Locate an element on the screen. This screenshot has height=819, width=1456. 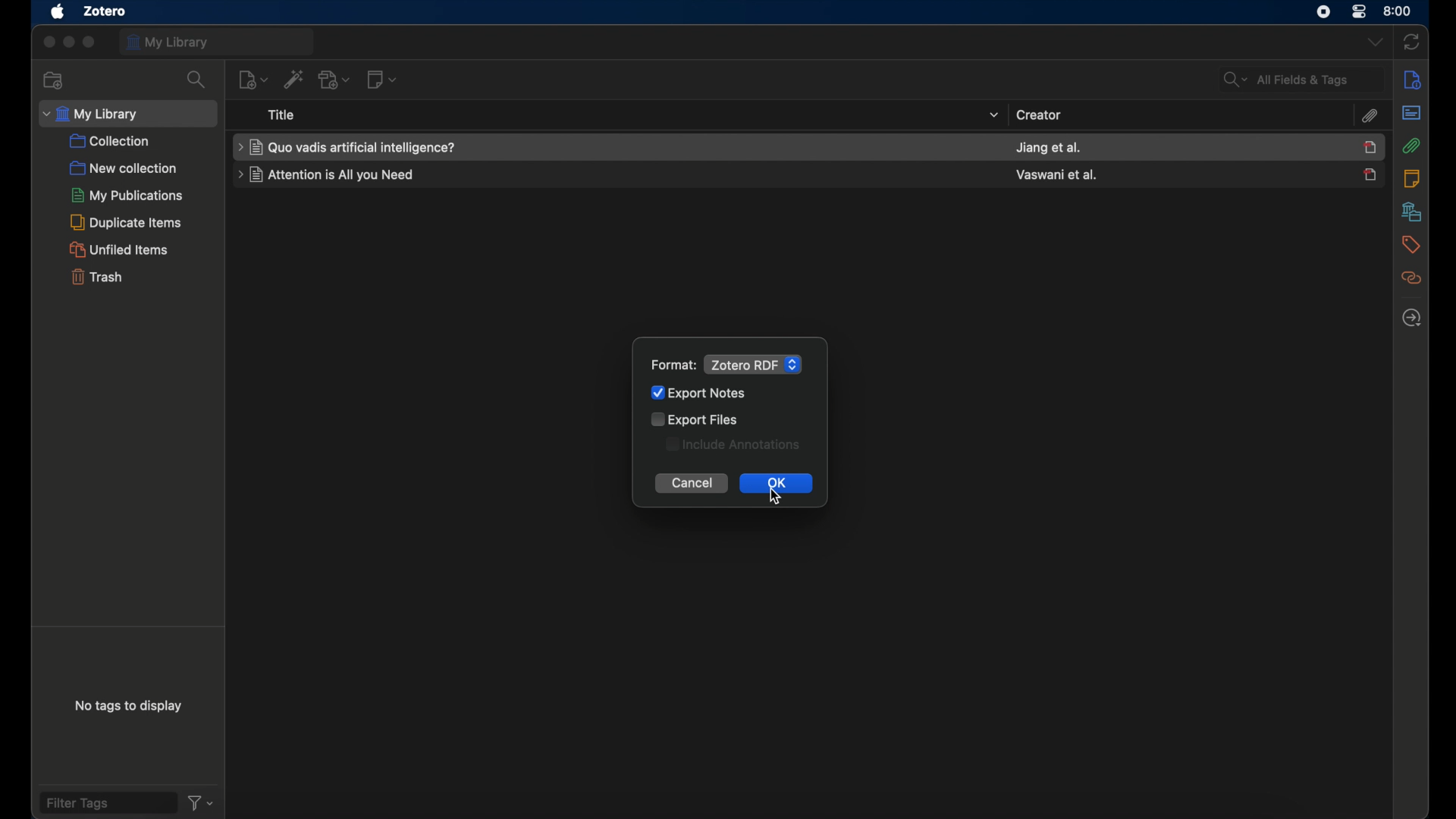
new note is located at coordinates (381, 80).